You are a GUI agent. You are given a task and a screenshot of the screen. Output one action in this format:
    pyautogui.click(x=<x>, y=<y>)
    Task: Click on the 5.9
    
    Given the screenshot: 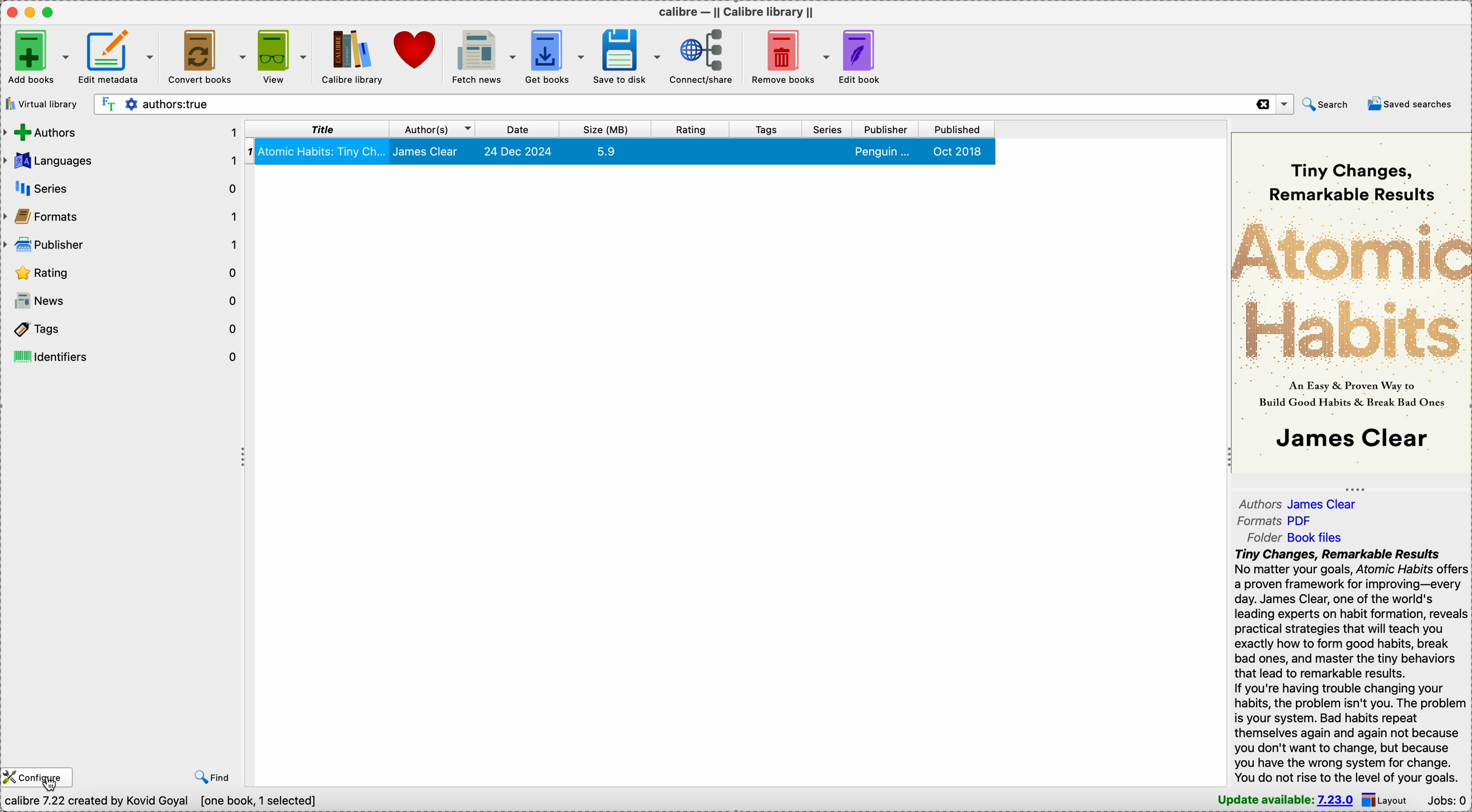 What is the action you would take?
    pyautogui.click(x=606, y=151)
    